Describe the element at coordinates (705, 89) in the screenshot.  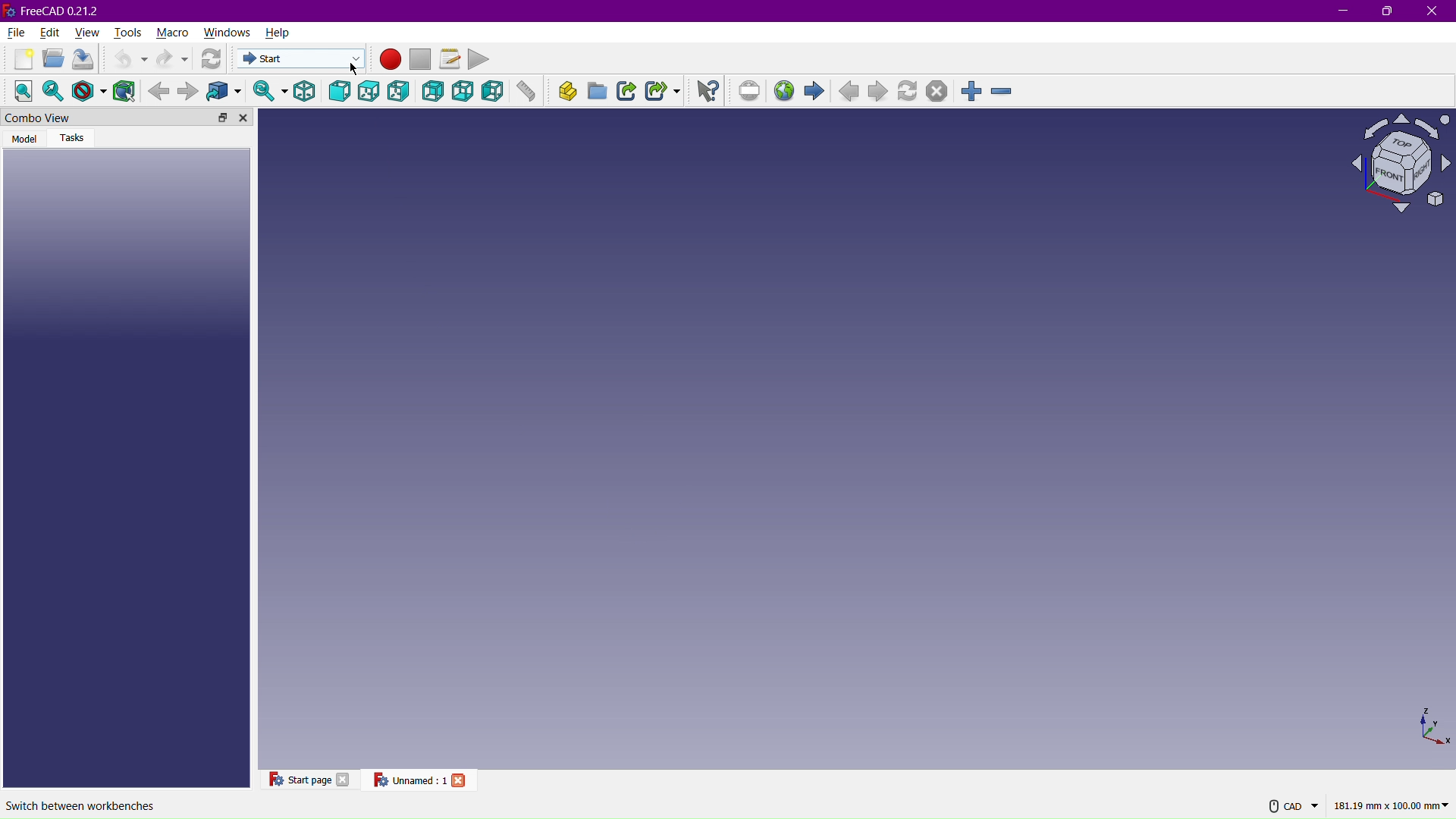
I see `What's This?` at that location.